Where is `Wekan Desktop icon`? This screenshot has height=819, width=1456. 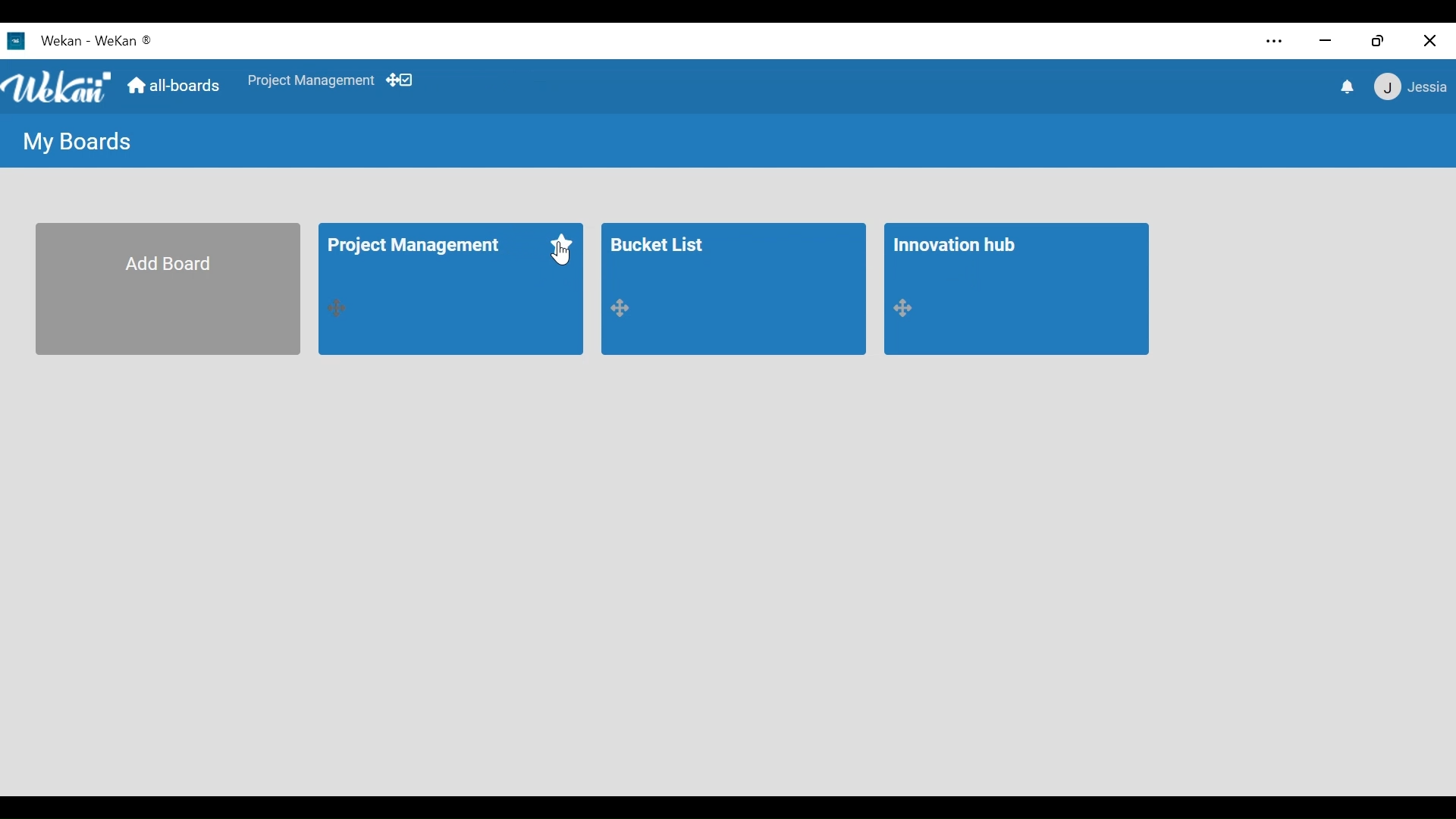 Wekan Desktop icon is located at coordinates (45, 40).